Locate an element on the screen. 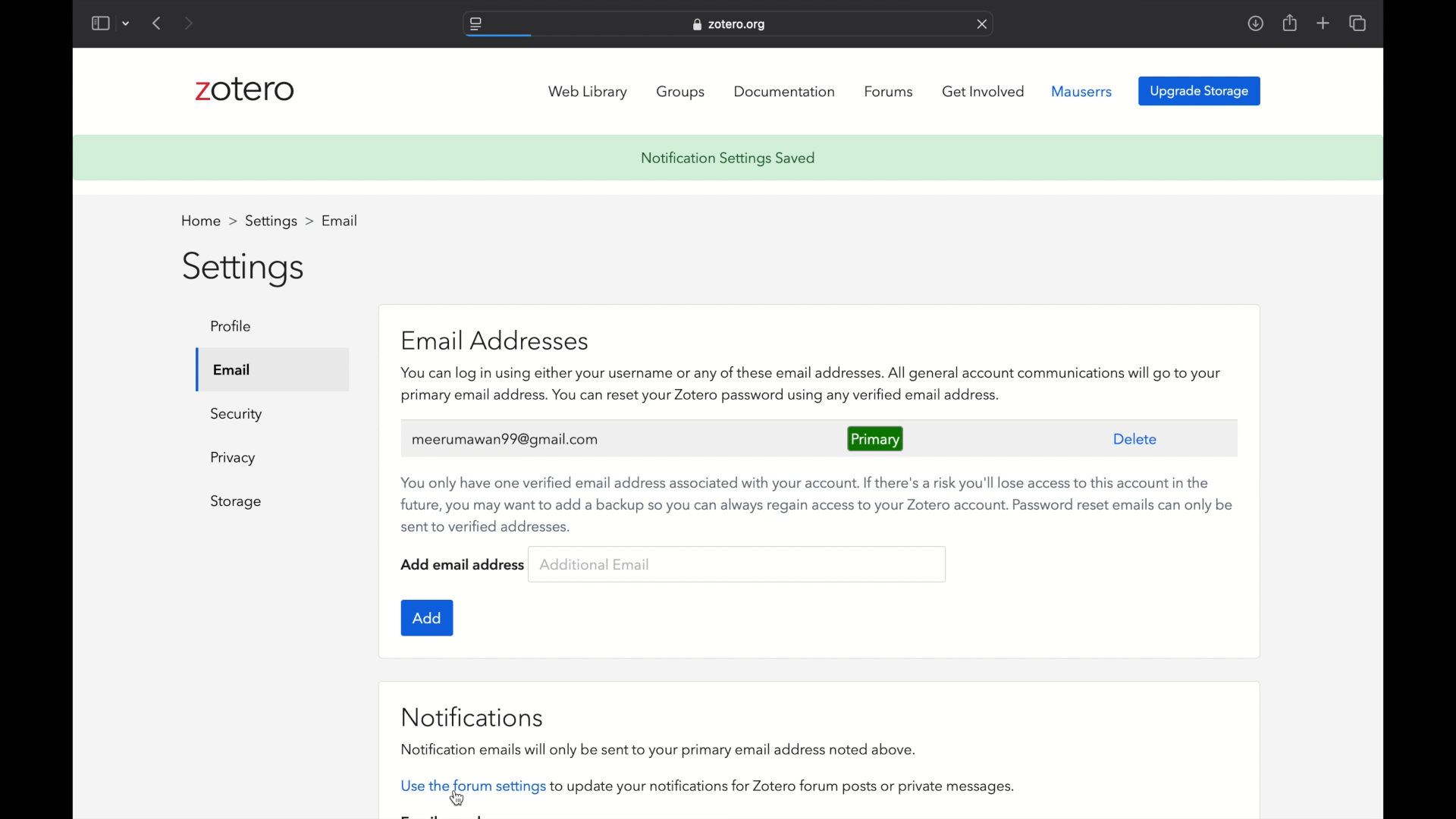 The width and height of the screenshot is (1456, 819). home is located at coordinates (209, 220).